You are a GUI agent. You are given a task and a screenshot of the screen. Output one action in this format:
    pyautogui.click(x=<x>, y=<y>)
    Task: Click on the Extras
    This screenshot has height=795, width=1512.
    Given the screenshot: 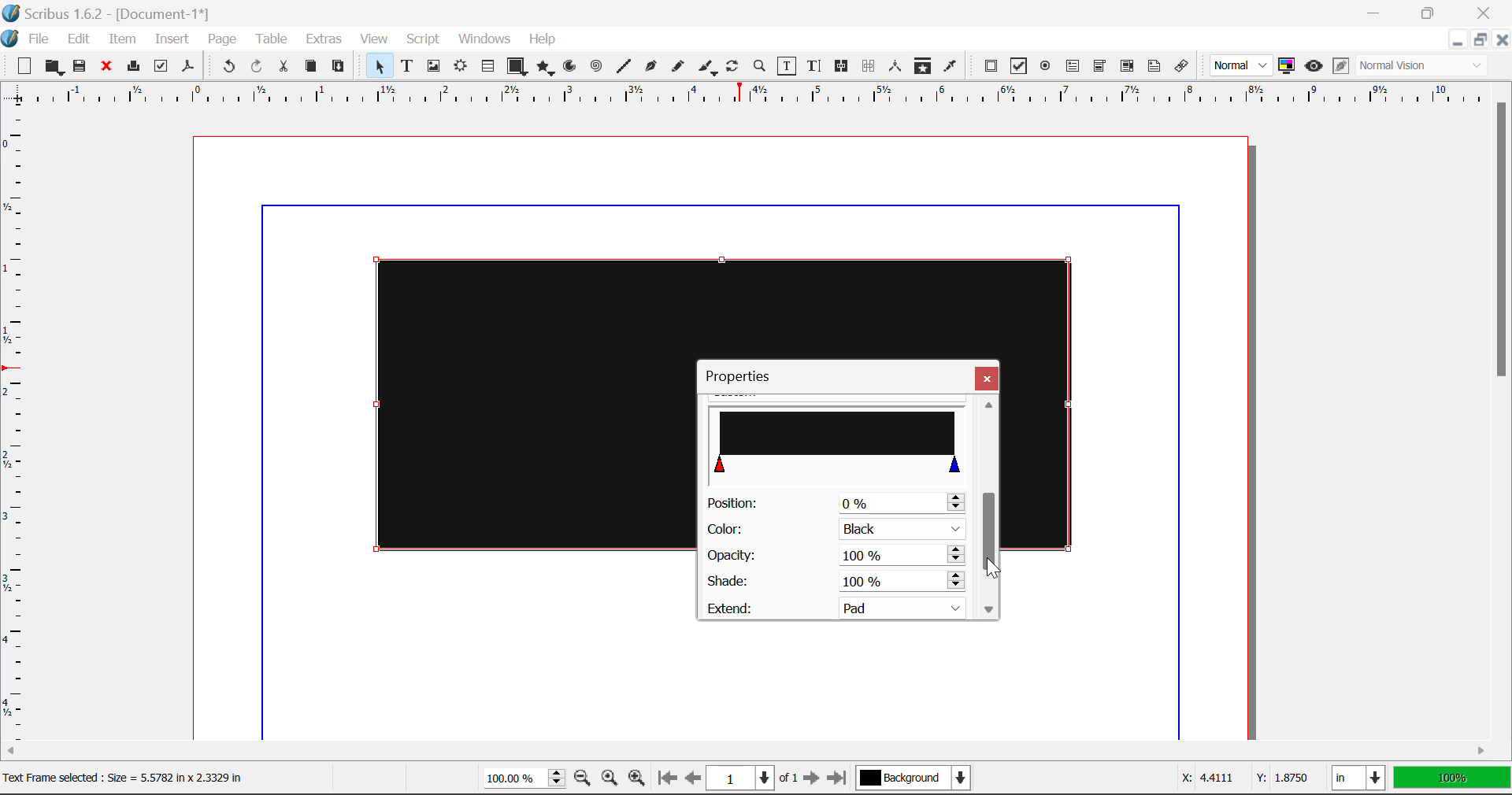 What is the action you would take?
    pyautogui.click(x=326, y=39)
    